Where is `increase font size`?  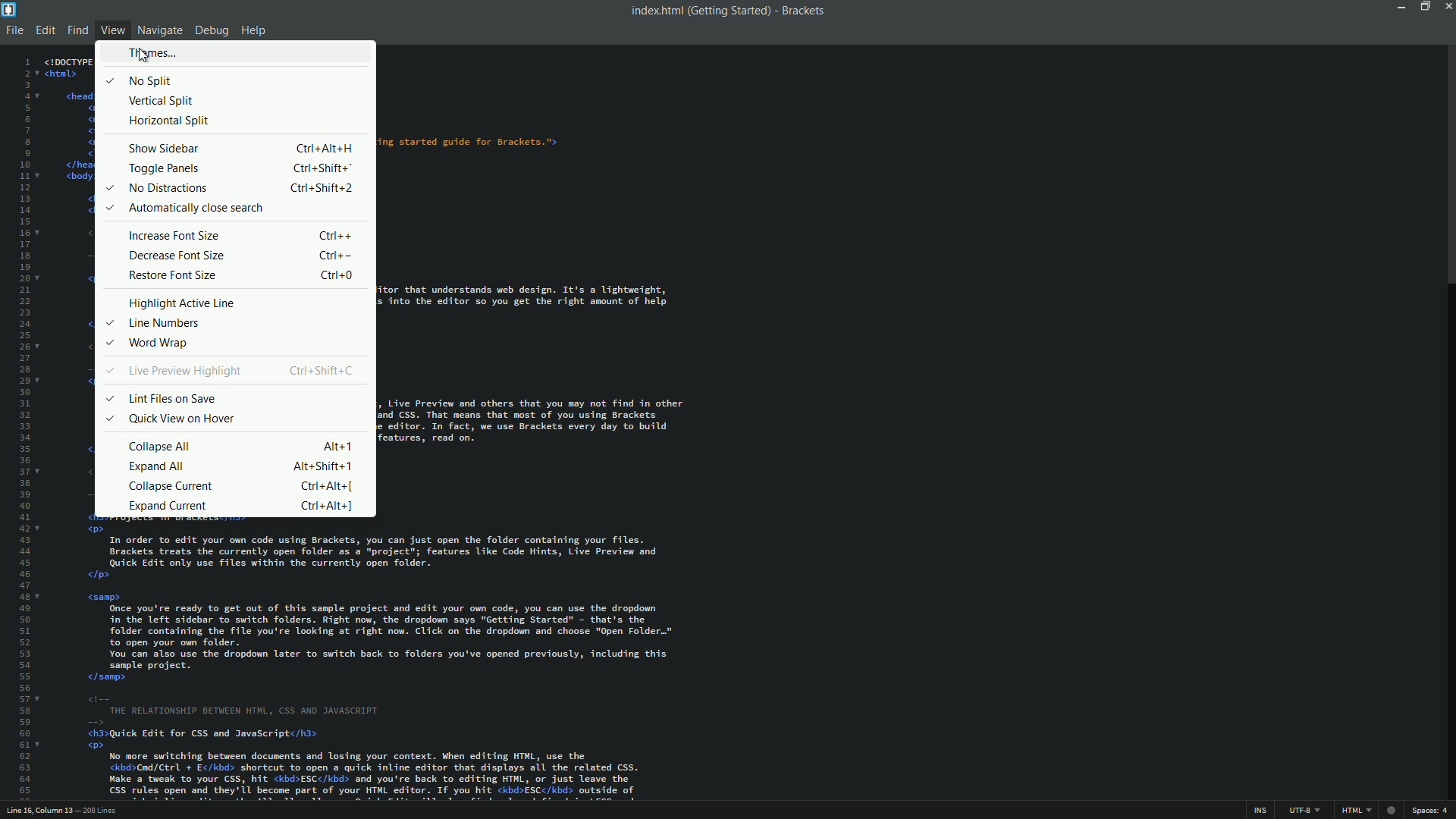 increase font size is located at coordinates (174, 234).